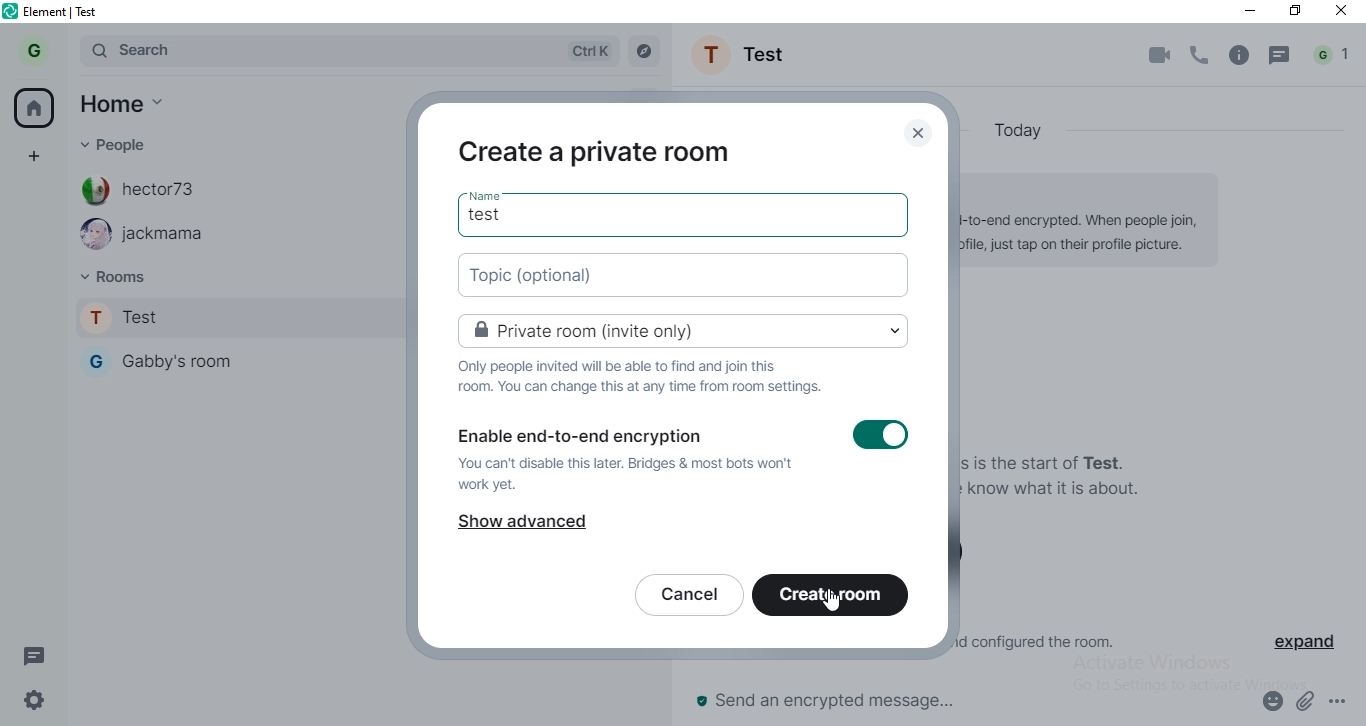  Describe the element at coordinates (51, 10) in the screenshot. I see `element | test` at that location.